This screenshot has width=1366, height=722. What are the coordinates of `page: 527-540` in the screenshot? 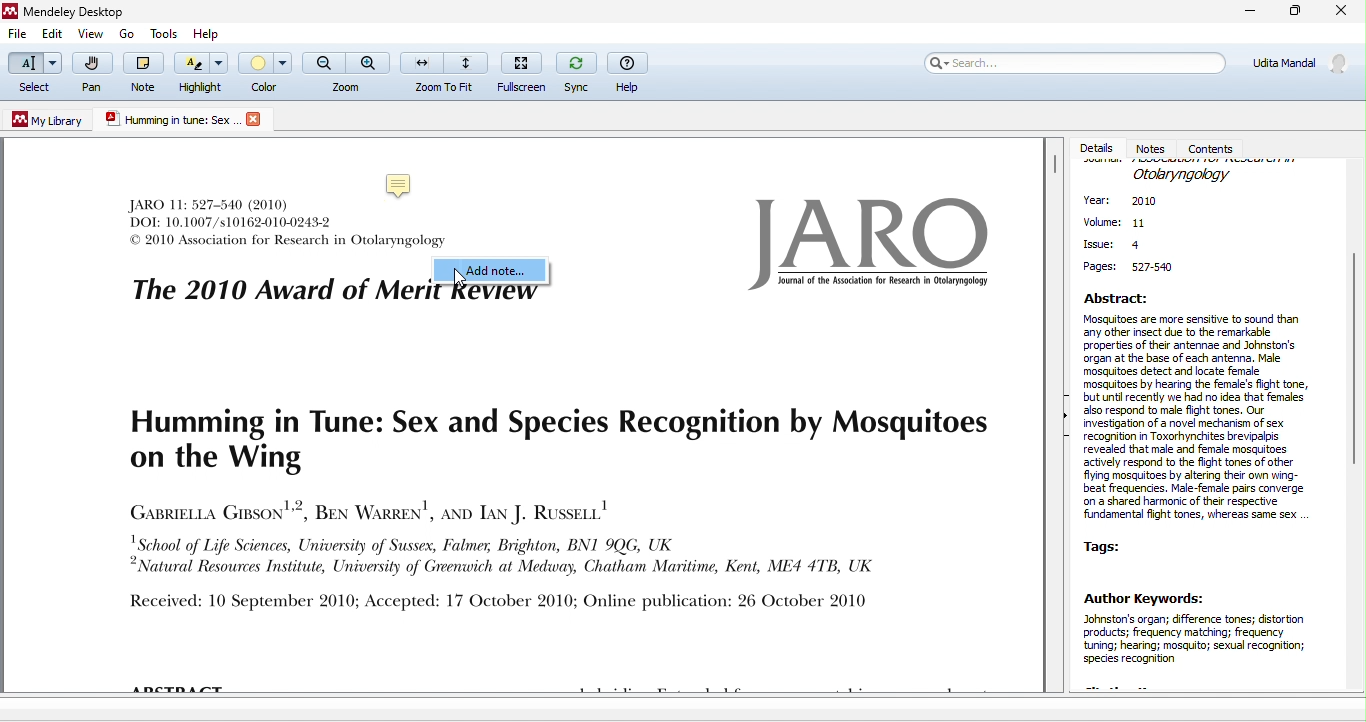 It's located at (1133, 268).